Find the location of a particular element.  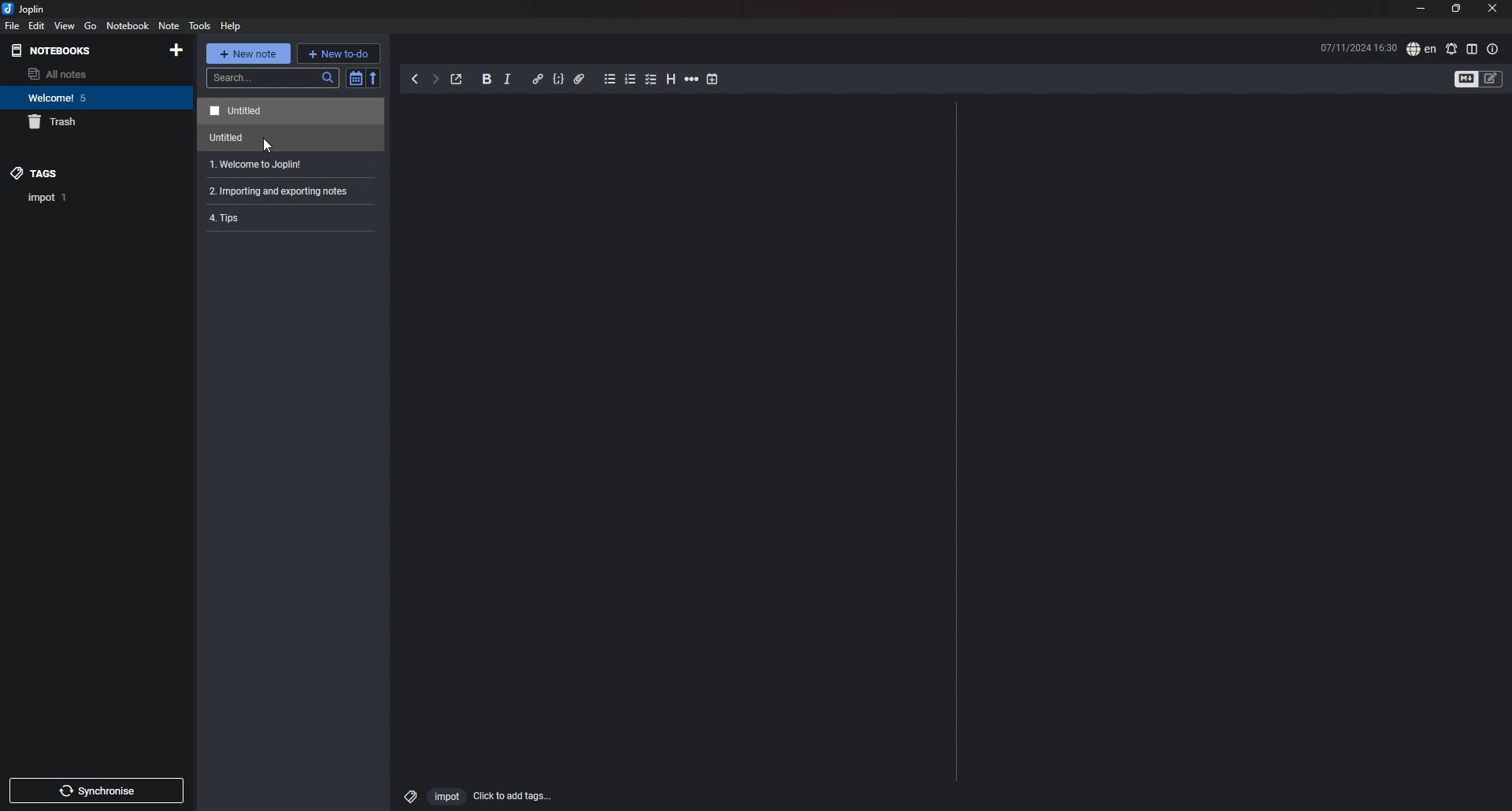

tags is located at coordinates (76, 172).